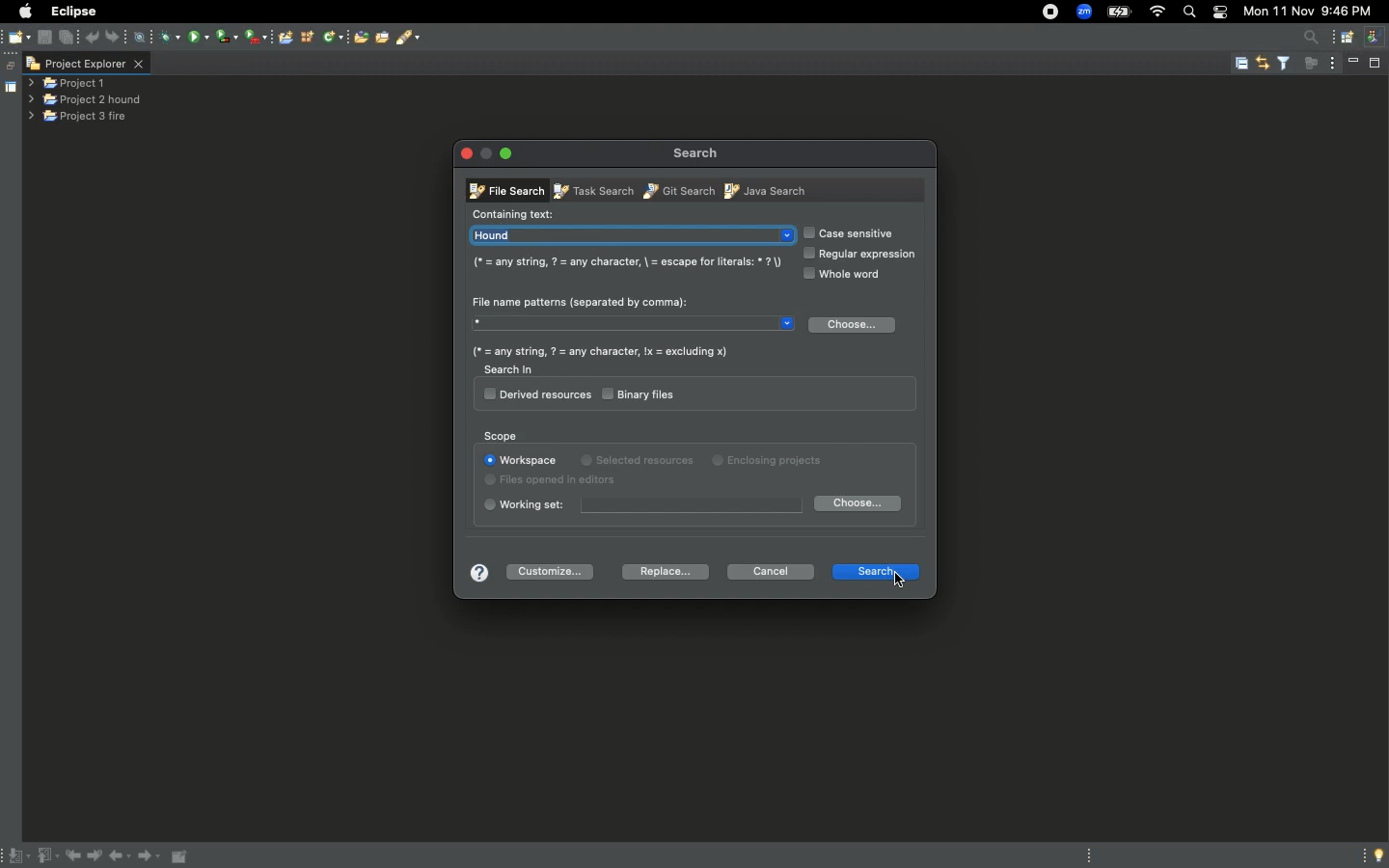  Describe the element at coordinates (171, 37) in the screenshot. I see `debug` at that location.